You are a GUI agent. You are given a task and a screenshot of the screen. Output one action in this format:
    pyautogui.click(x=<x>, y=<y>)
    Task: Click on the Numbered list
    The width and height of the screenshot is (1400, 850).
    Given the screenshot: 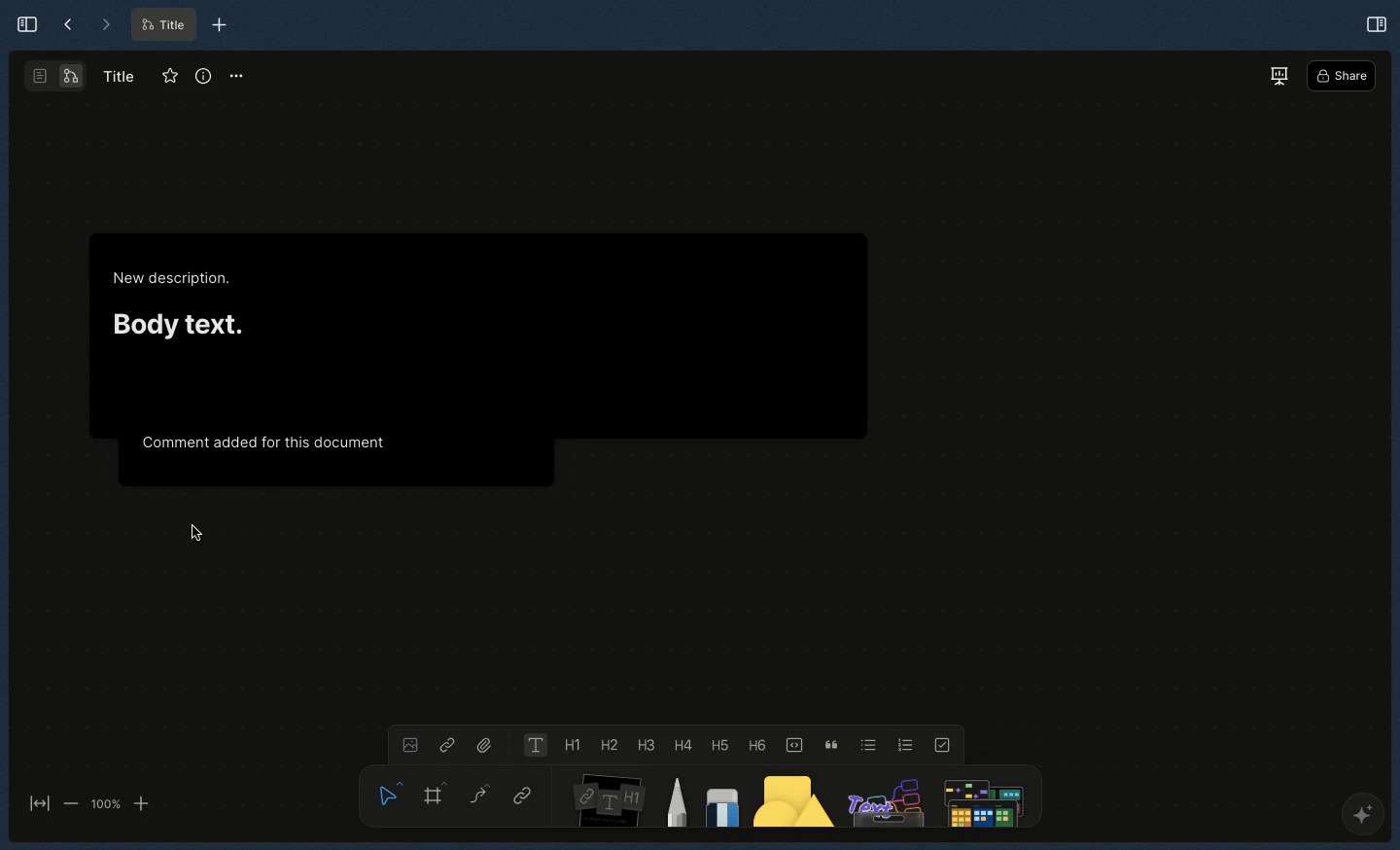 What is the action you would take?
    pyautogui.click(x=906, y=744)
    